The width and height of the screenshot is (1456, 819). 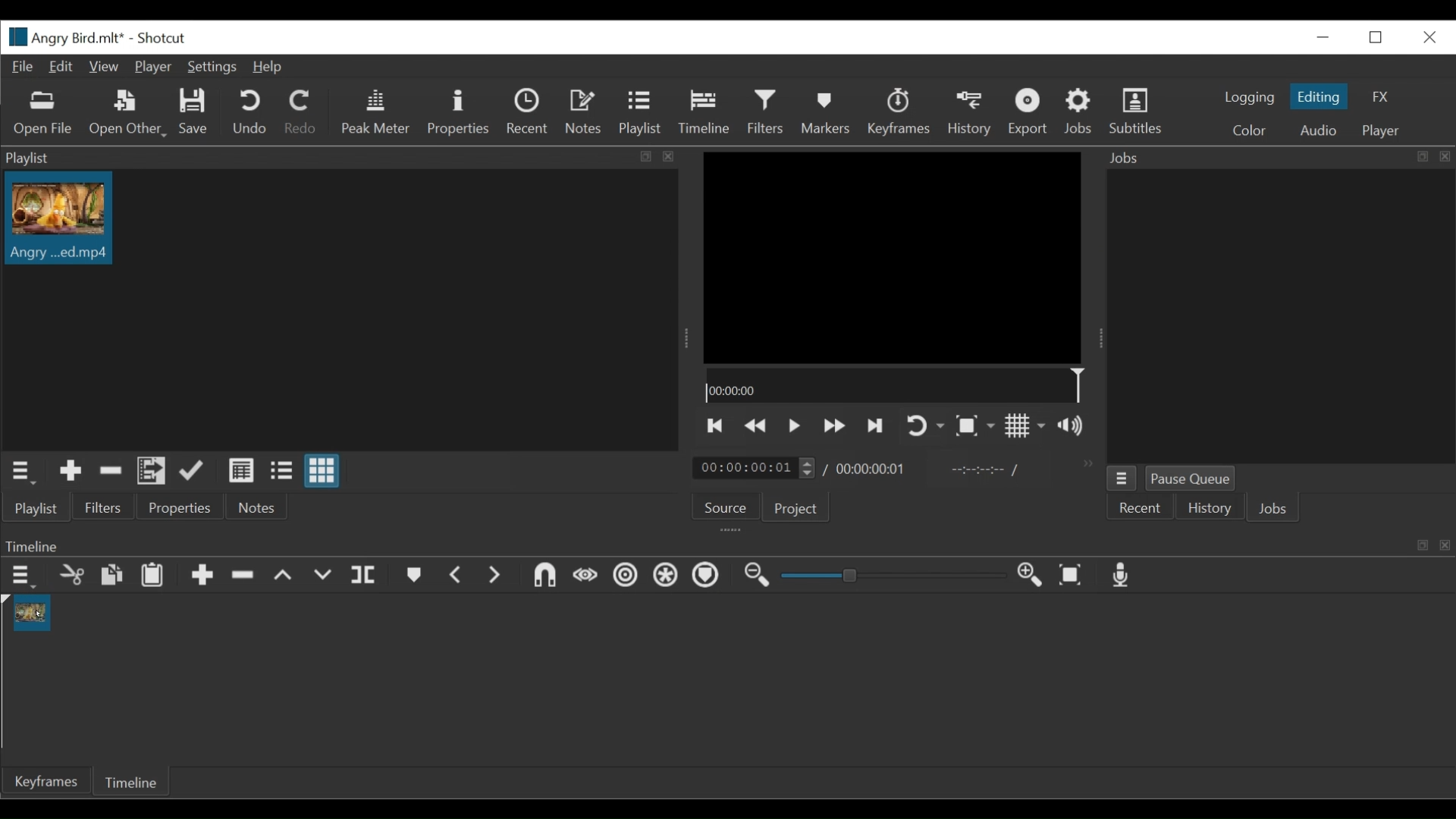 I want to click on Save, so click(x=197, y=114).